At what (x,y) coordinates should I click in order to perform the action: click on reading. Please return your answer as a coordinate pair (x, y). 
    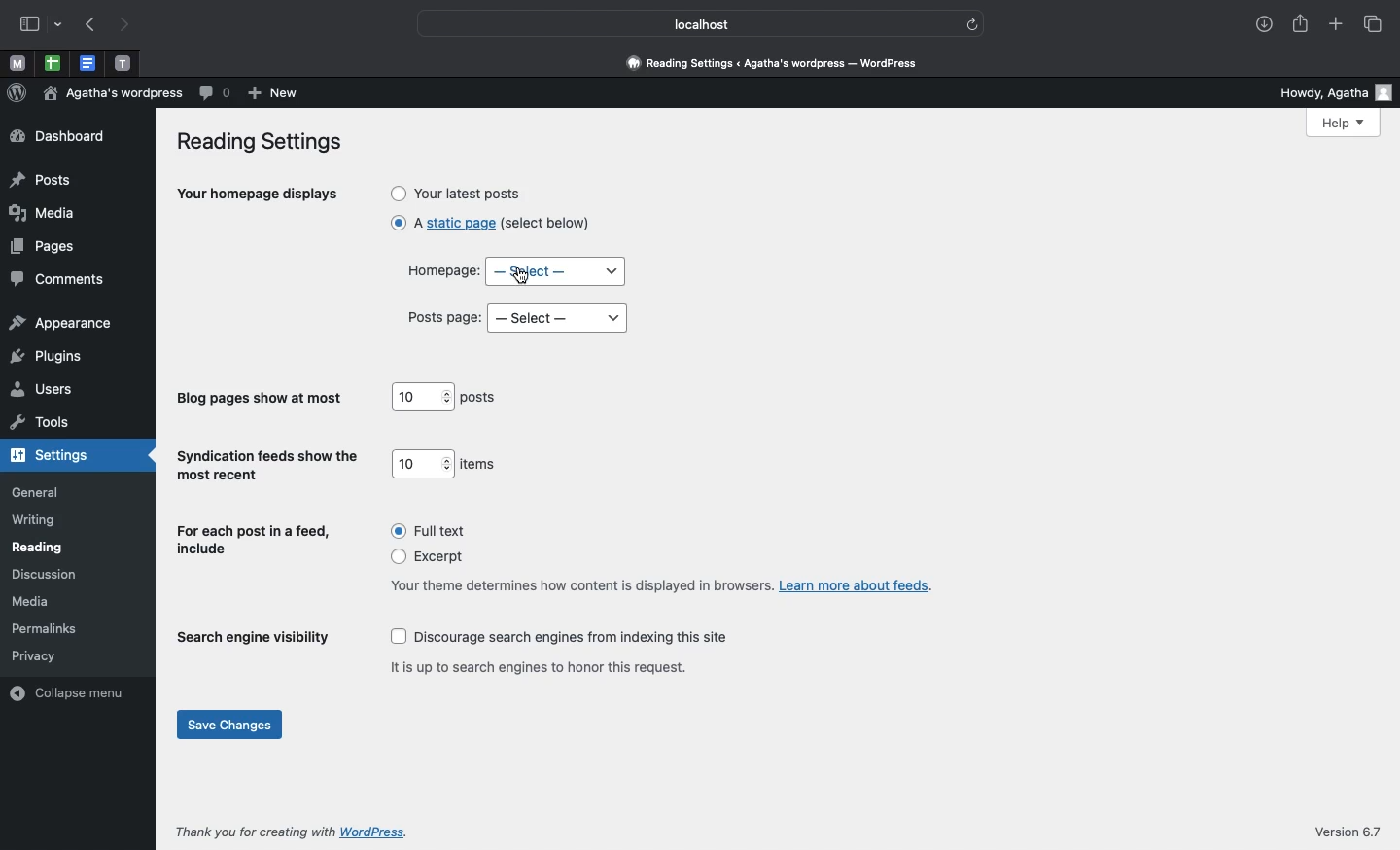
    Looking at the image, I should click on (39, 548).